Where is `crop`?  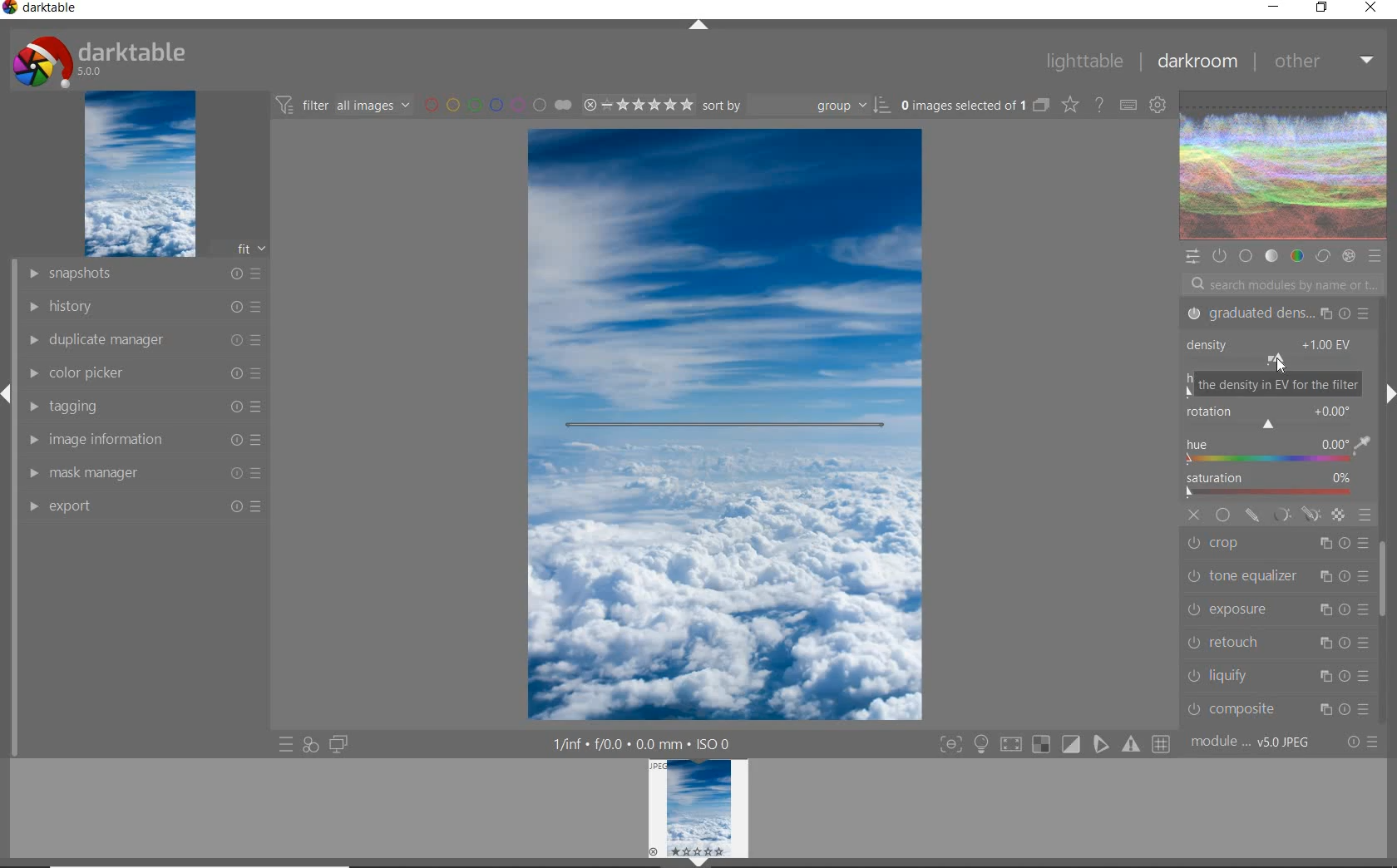 crop is located at coordinates (1278, 545).